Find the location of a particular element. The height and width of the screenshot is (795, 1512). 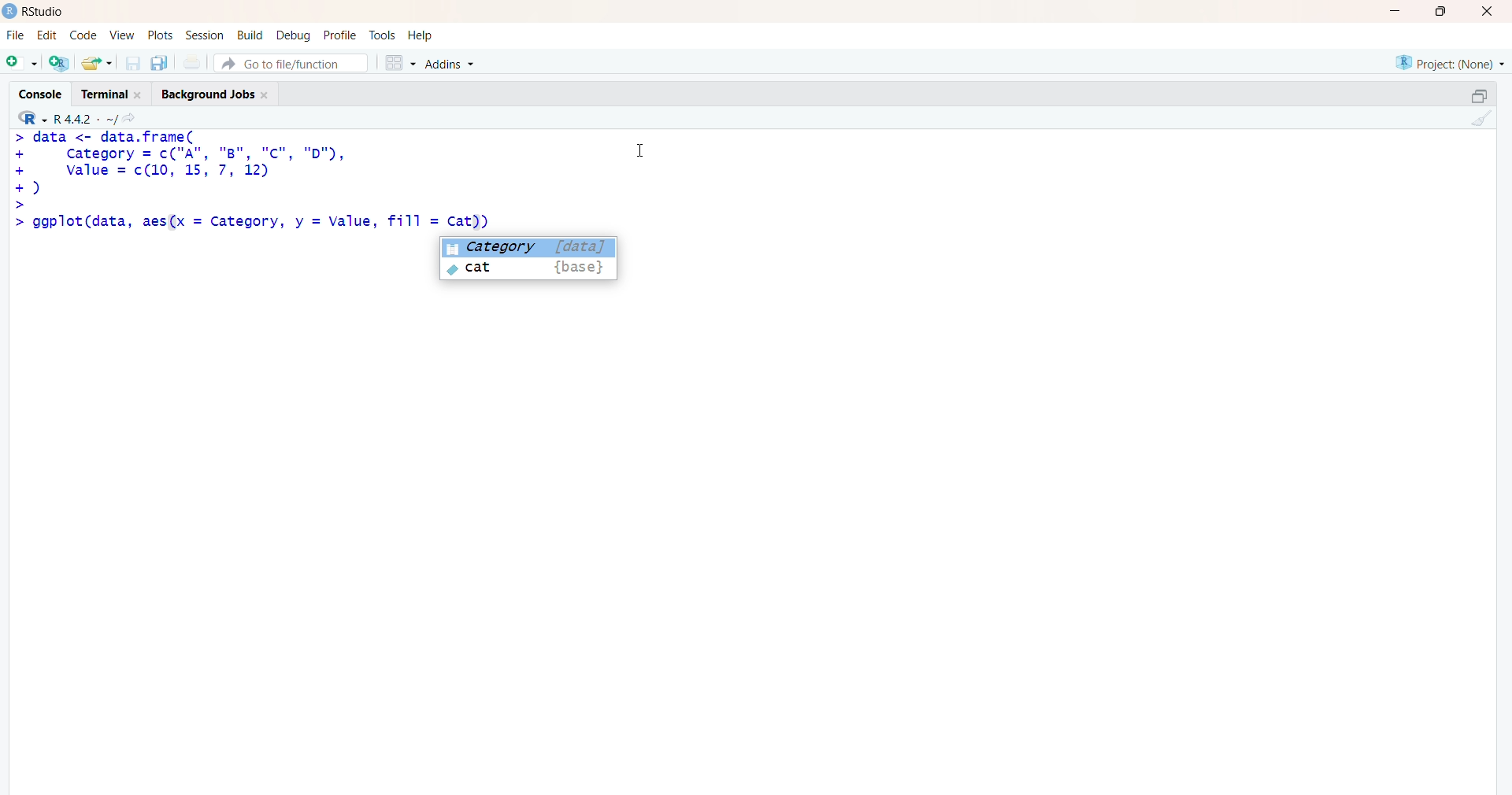

Rstudio is located at coordinates (48, 12).